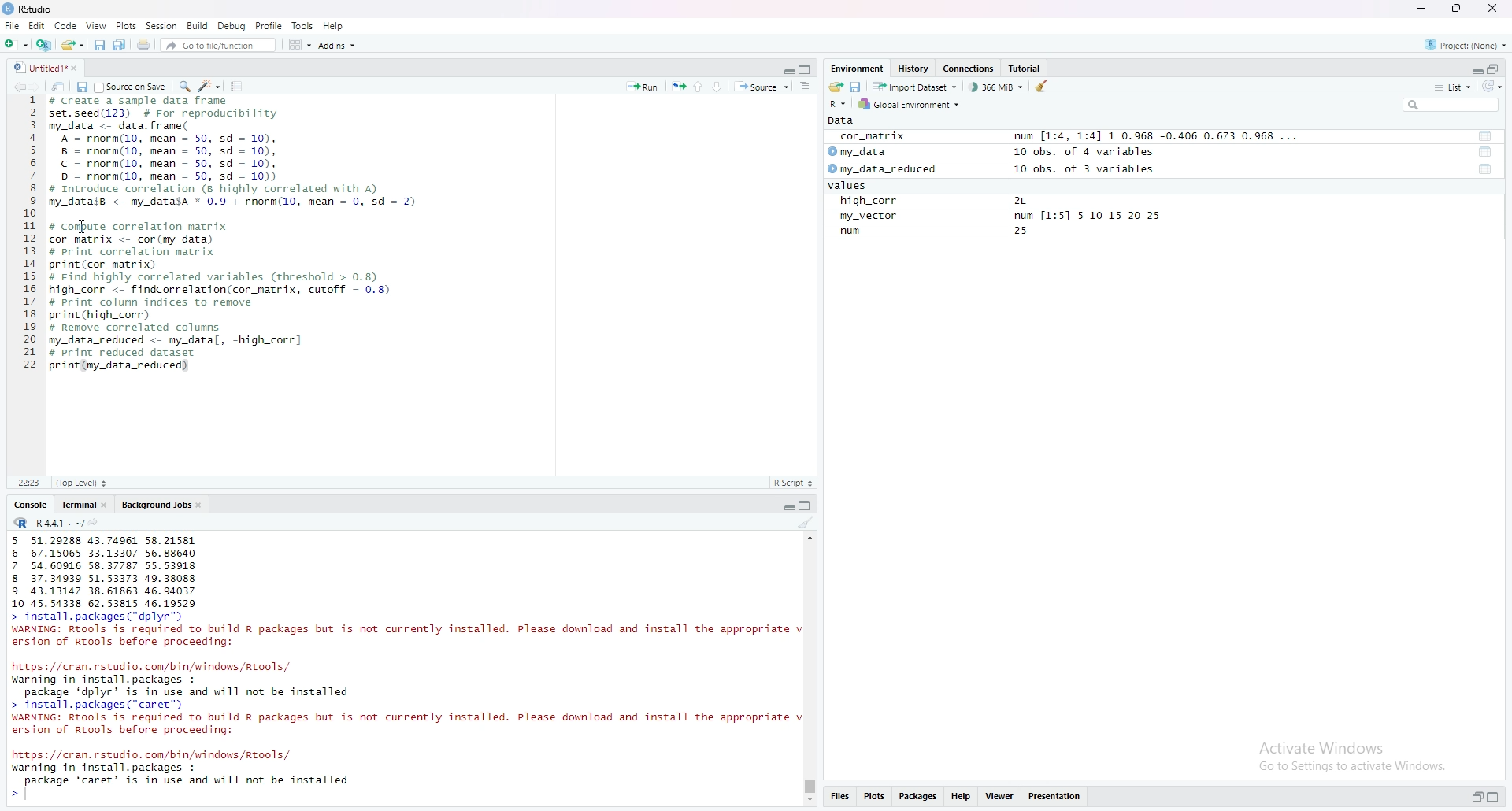  What do you see at coordinates (843, 120) in the screenshot?
I see `Data ` at bounding box center [843, 120].